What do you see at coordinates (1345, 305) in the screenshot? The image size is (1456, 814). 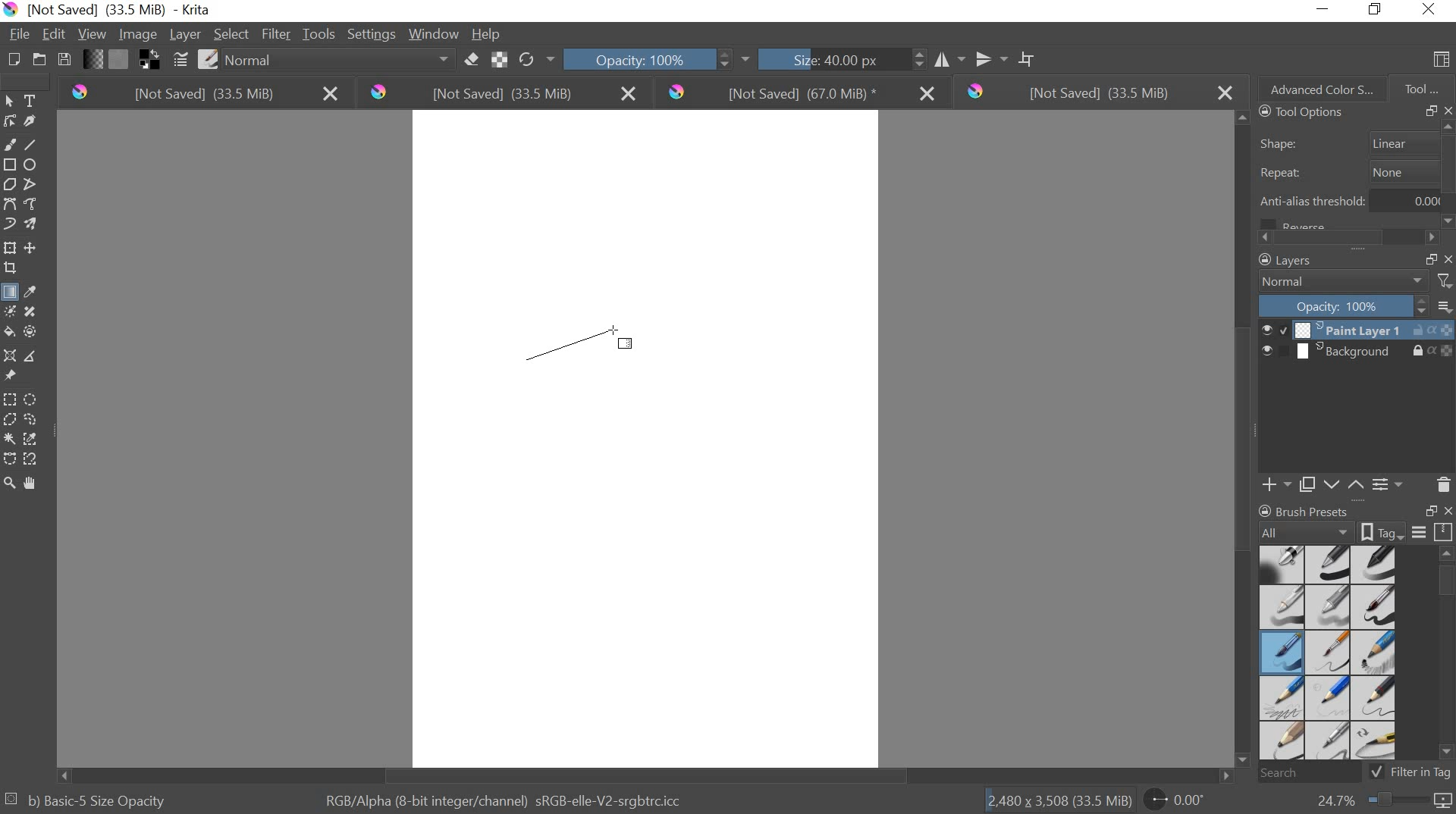 I see `OPACITY` at bounding box center [1345, 305].